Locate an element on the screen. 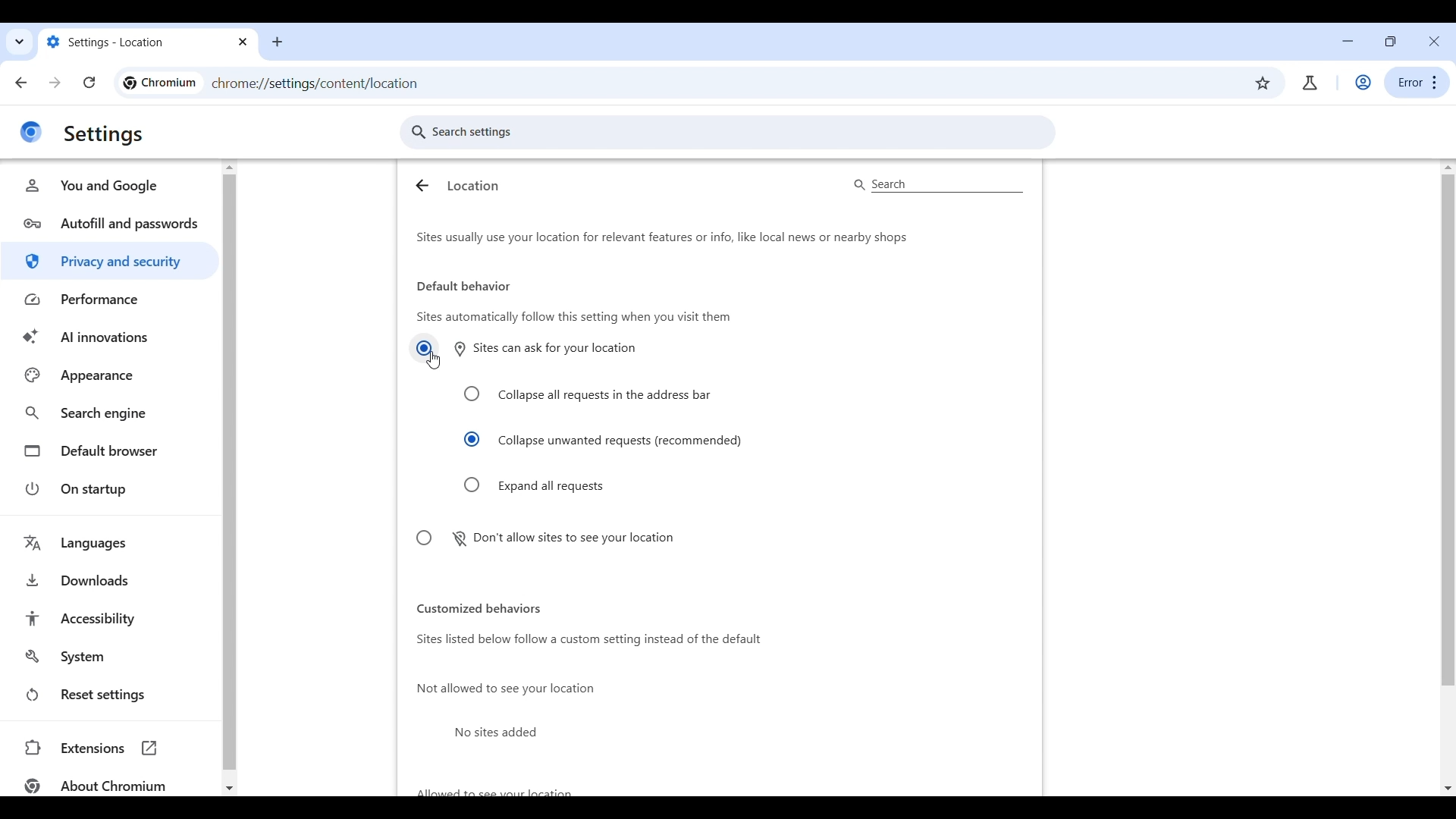 The image size is (1456, 819). Vertical slide bar is located at coordinates (227, 472).